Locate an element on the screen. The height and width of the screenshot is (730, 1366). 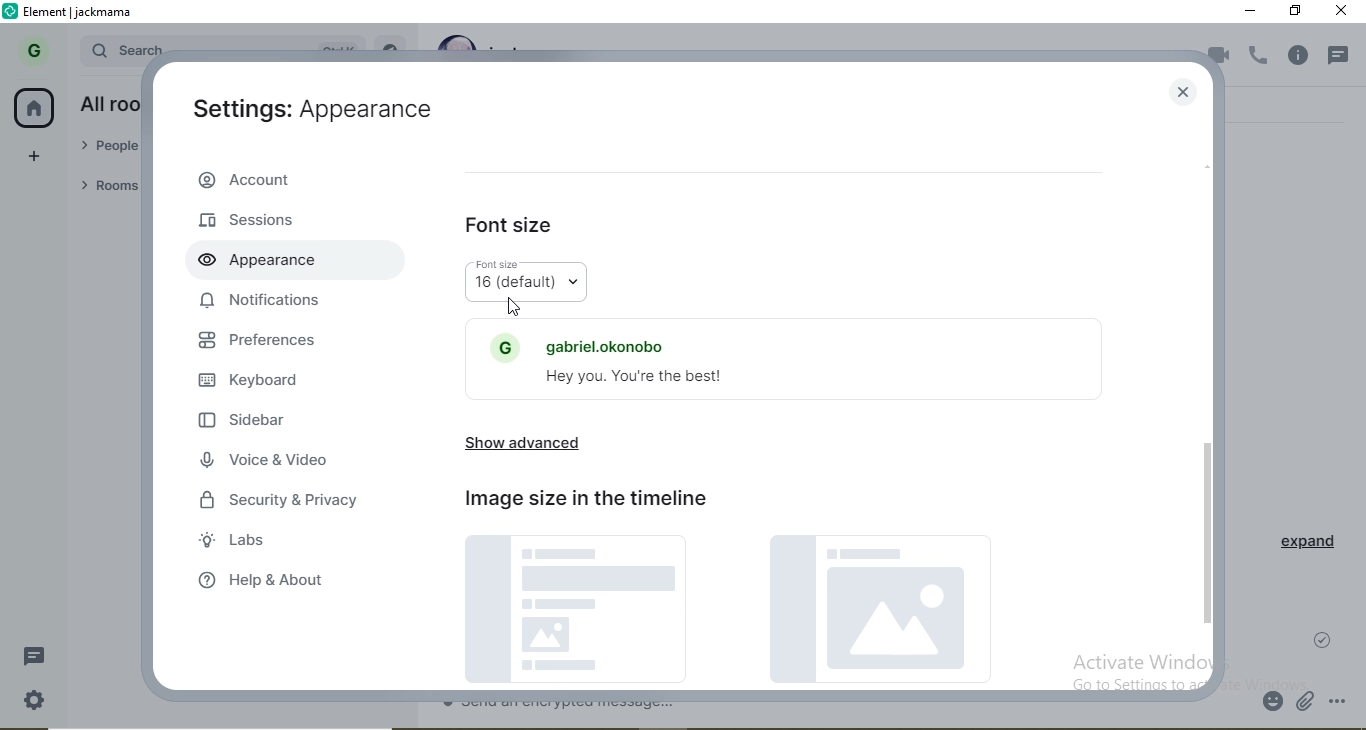
appearance is located at coordinates (252, 258).